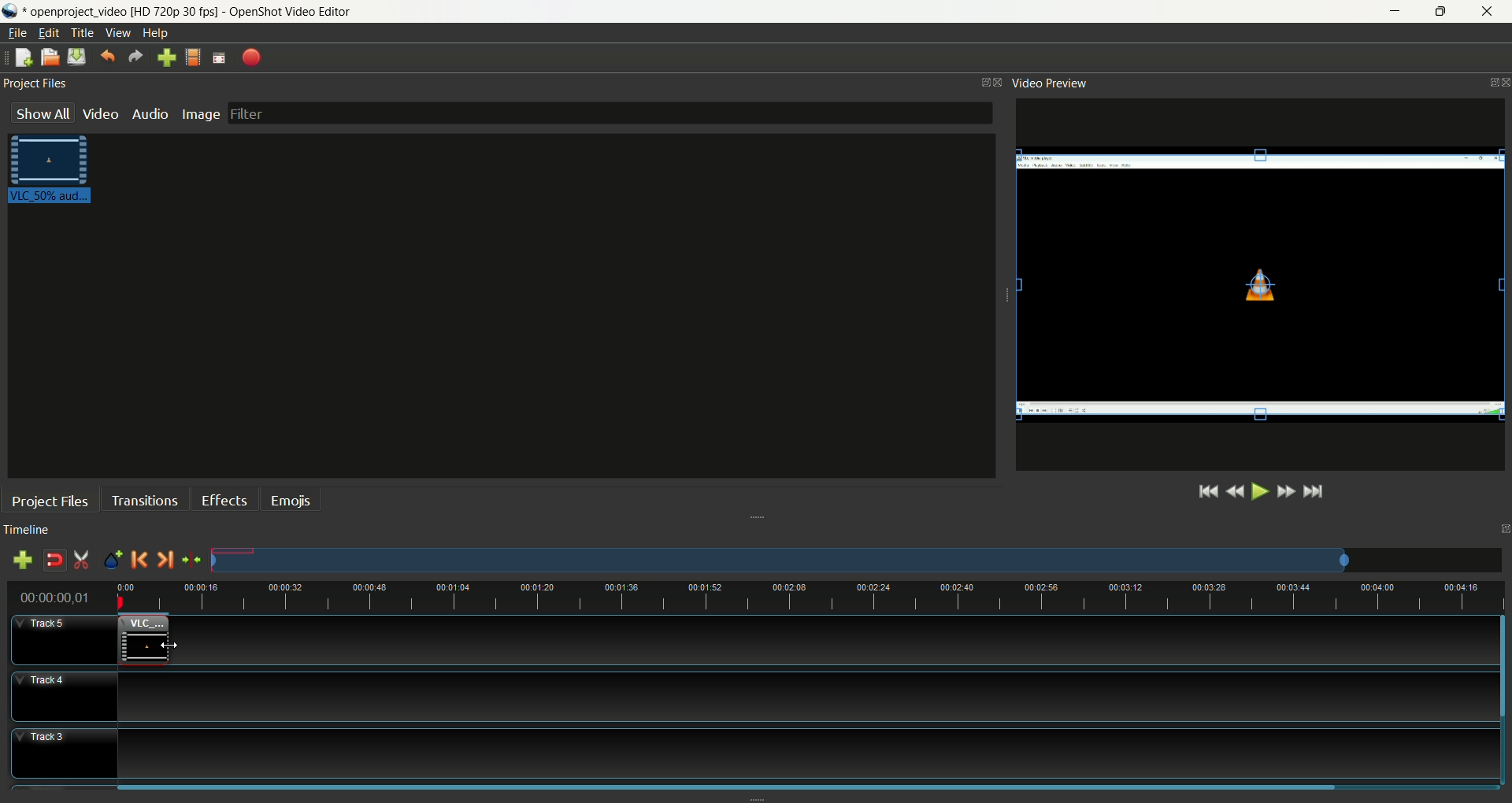  Describe the element at coordinates (228, 498) in the screenshot. I see `effects` at that location.